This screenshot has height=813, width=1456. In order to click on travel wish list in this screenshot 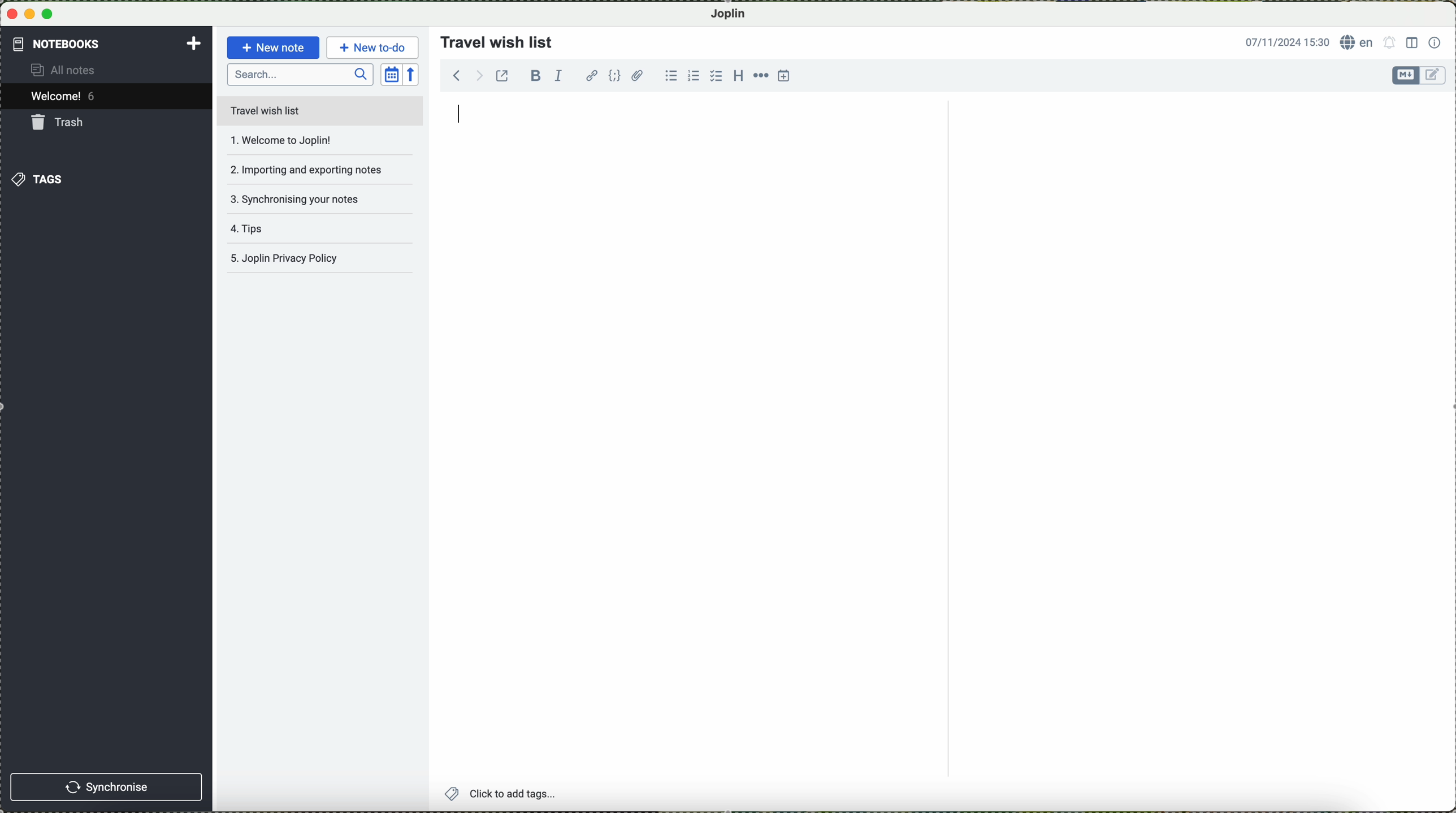, I will do `click(492, 38)`.